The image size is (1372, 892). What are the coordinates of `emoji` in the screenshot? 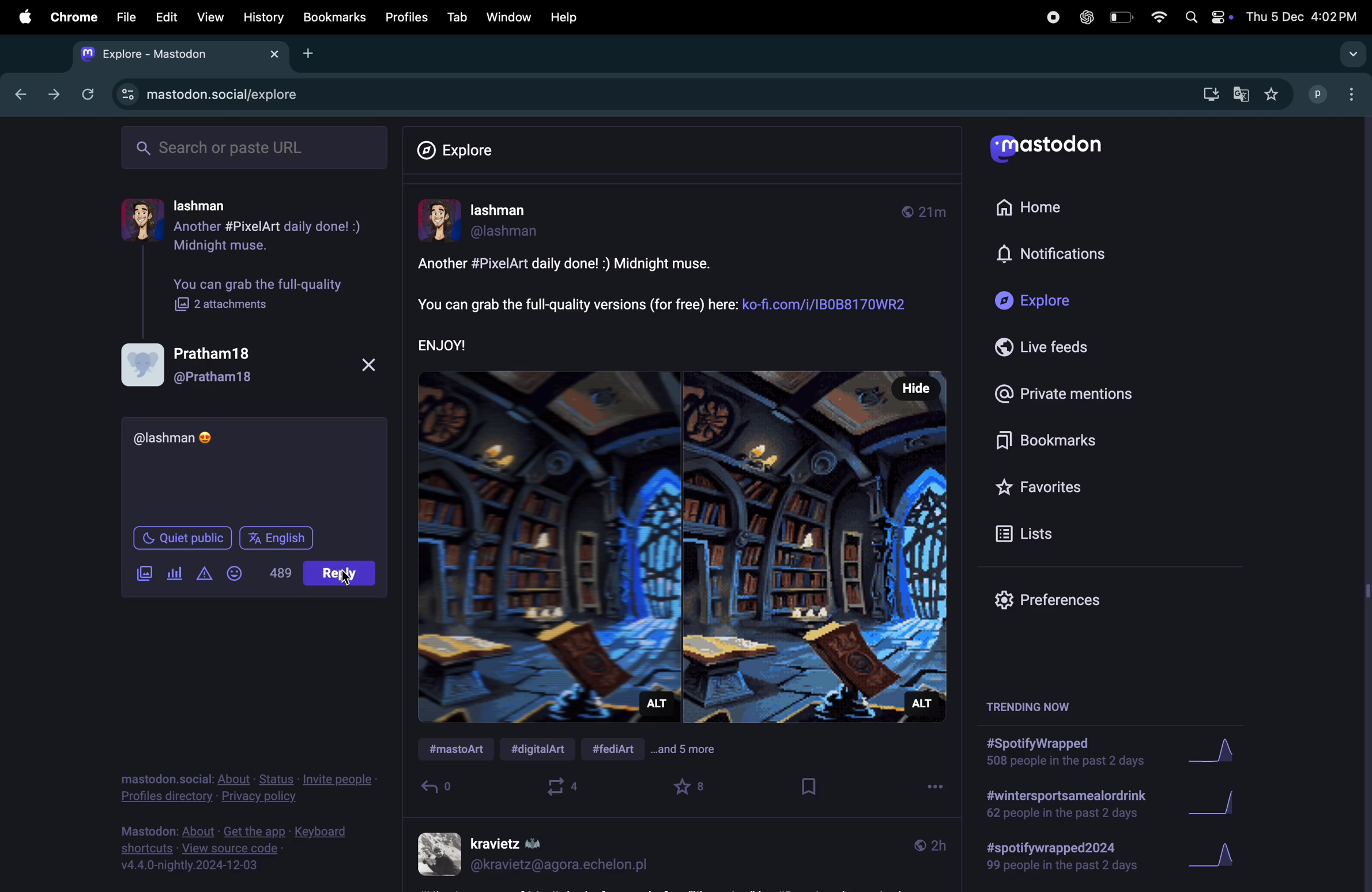 It's located at (346, 578).